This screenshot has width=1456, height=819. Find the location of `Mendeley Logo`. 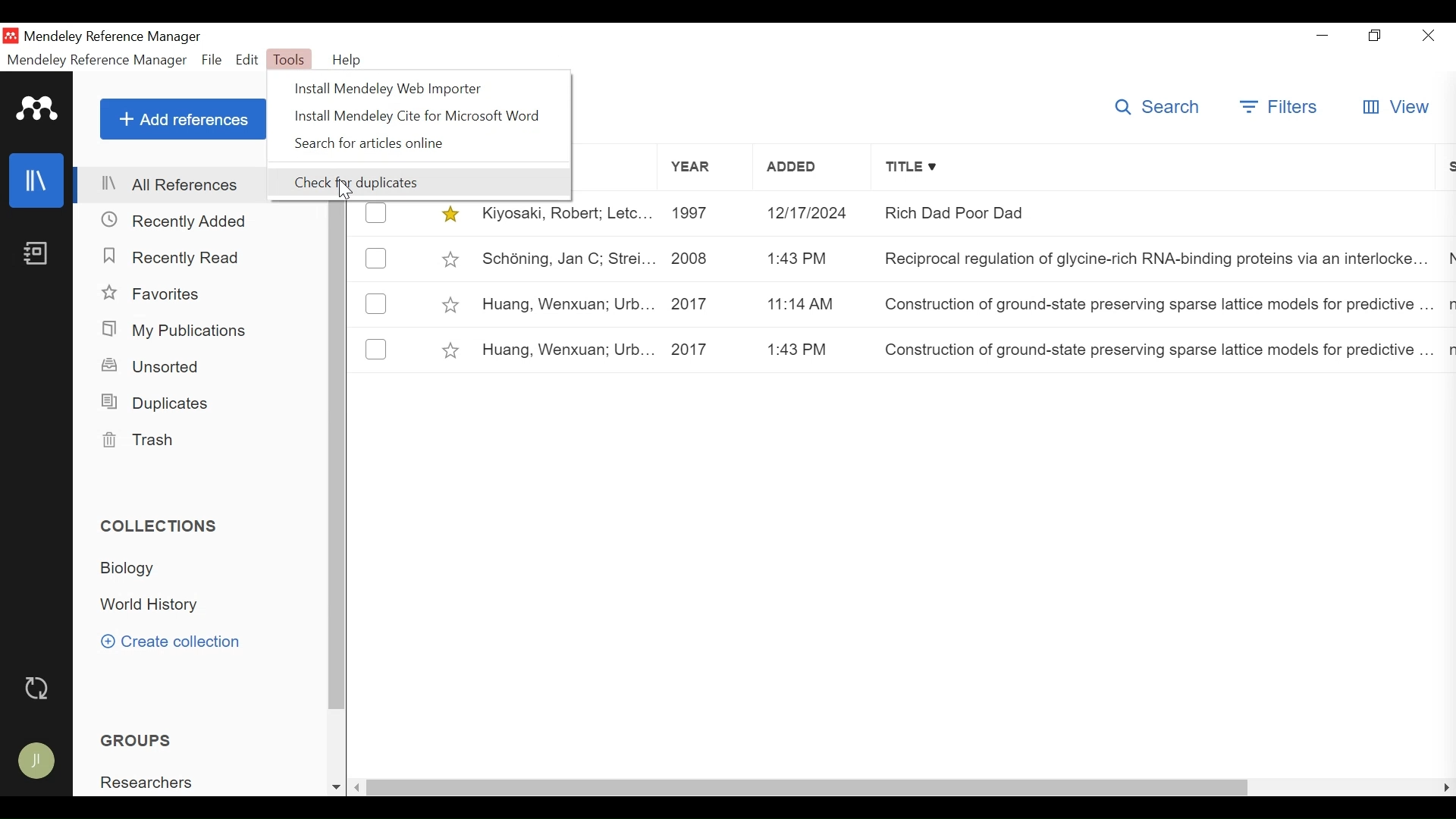

Mendeley Logo is located at coordinates (37, 109).